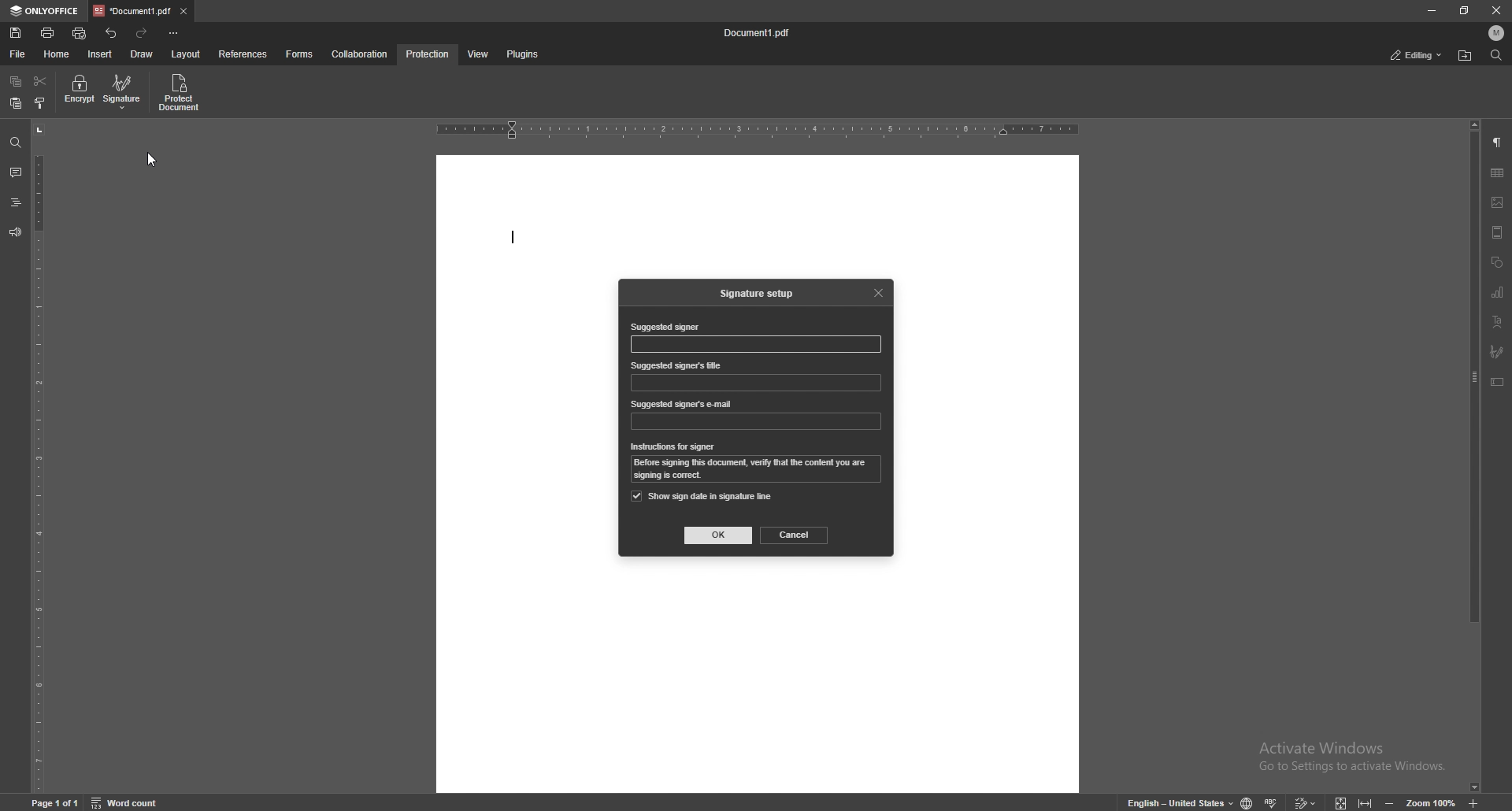  I want to click on save, so click(17, 33).